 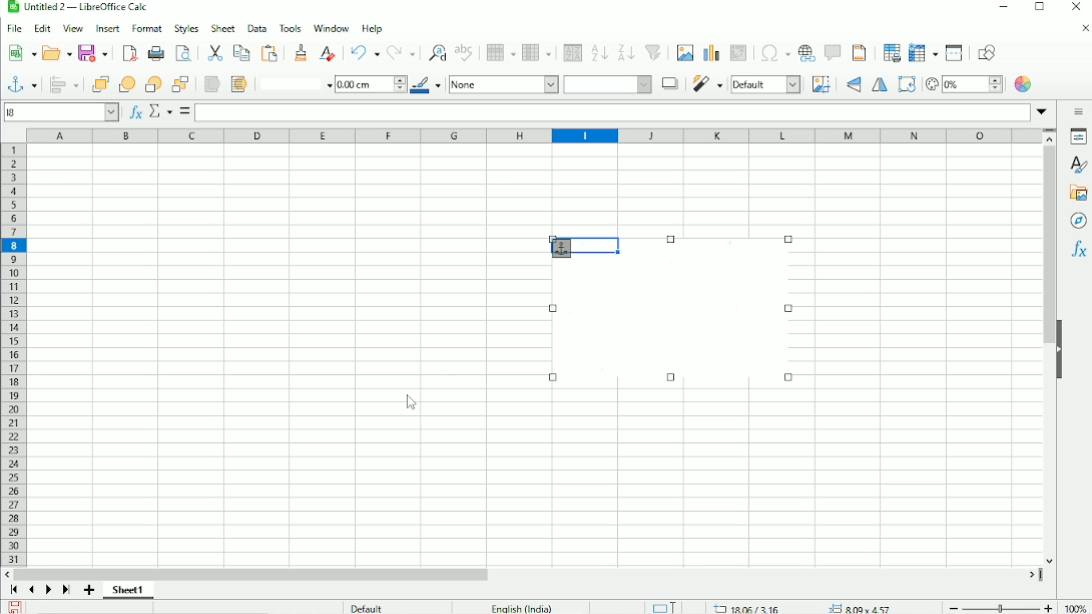 What do you see at coordinates (294, 83) in the screenshot?
I see `line style` at bounding box center [294, 83].